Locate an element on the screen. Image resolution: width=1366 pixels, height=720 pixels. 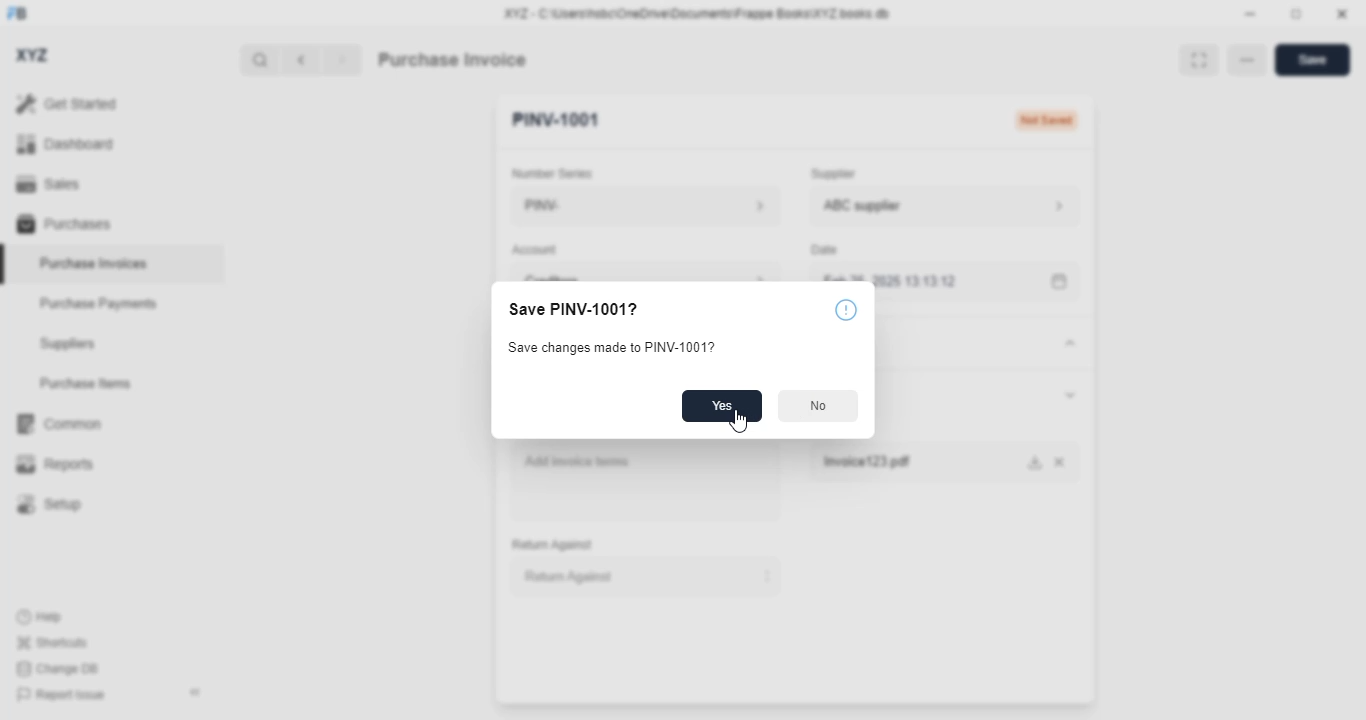
option is located at coordinates (1248, 61).